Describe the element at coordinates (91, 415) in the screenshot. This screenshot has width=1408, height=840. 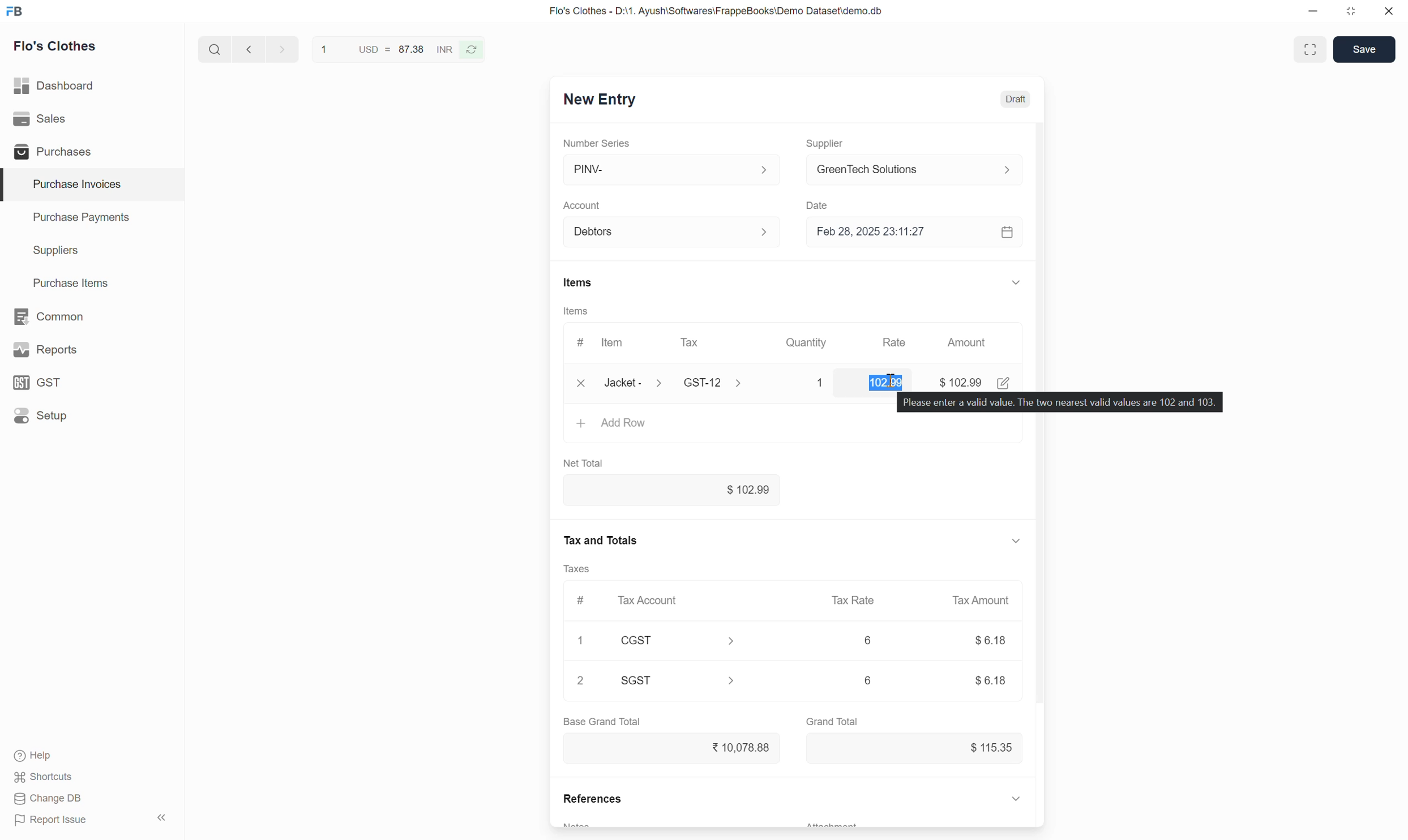
I see `Setup` at that location.